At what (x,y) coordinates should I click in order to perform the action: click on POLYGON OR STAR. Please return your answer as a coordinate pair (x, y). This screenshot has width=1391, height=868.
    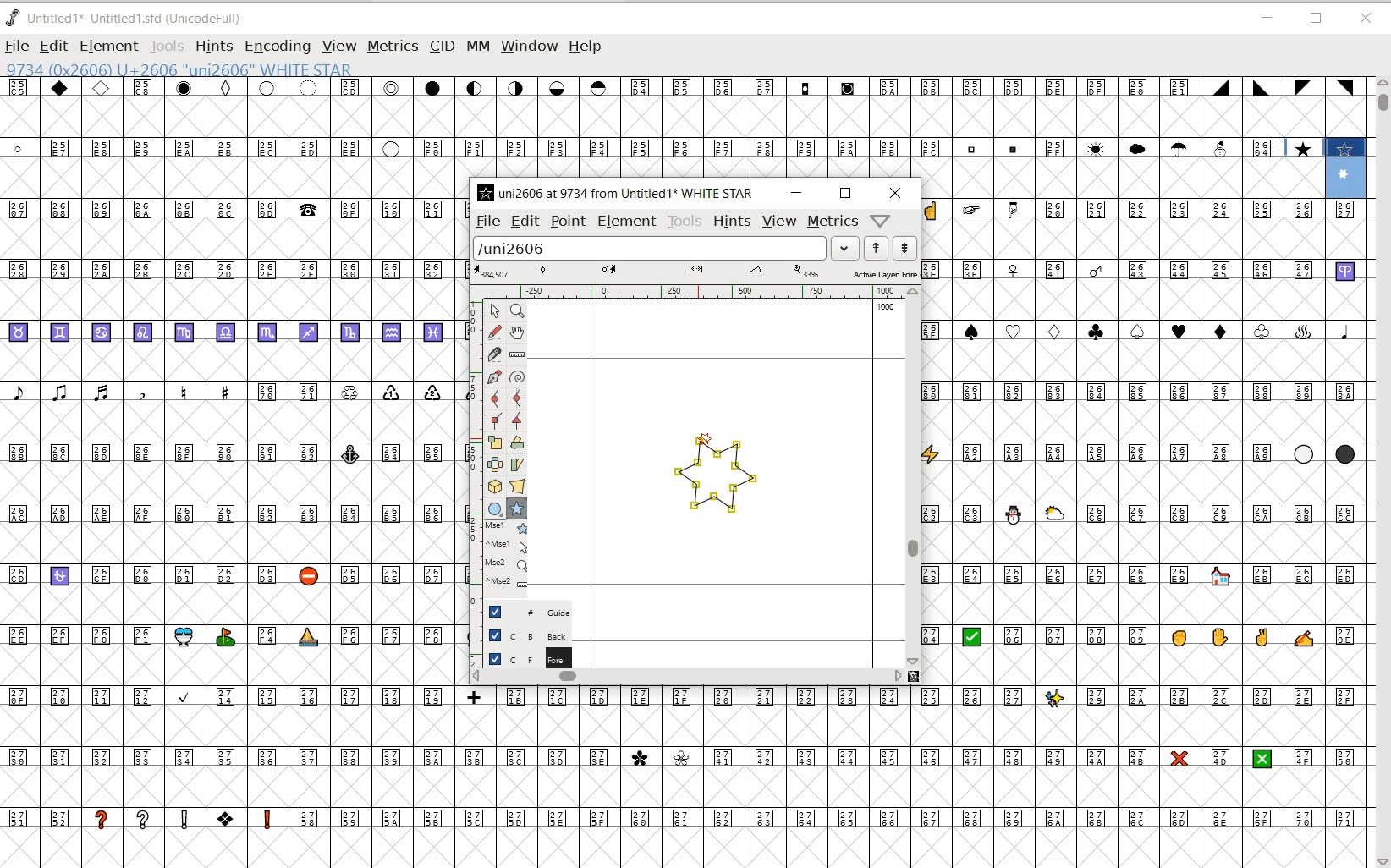
    Looking at the image, I should click on (516, 509).